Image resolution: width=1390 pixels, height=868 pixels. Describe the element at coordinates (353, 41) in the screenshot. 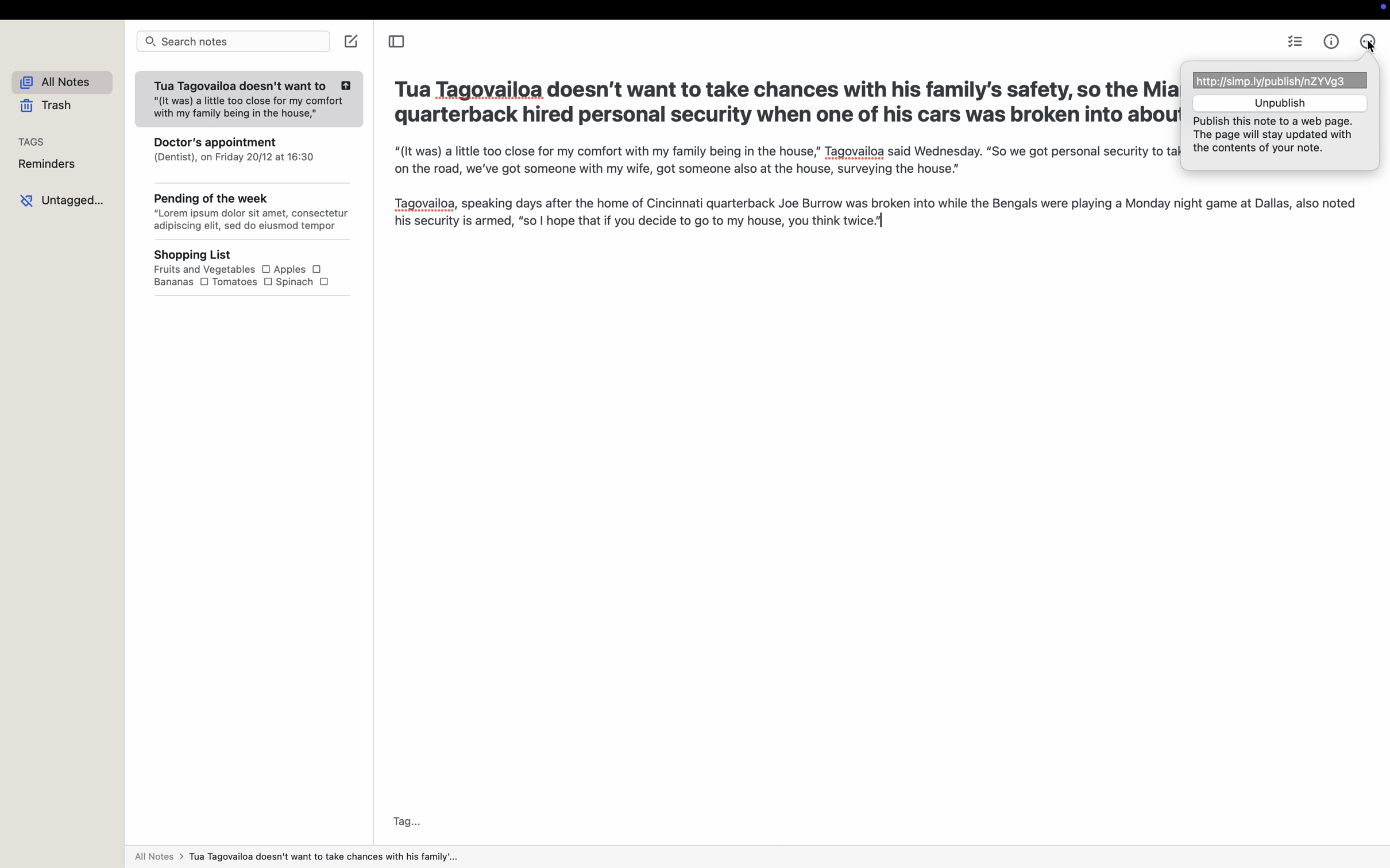

I see `create note` at that location.